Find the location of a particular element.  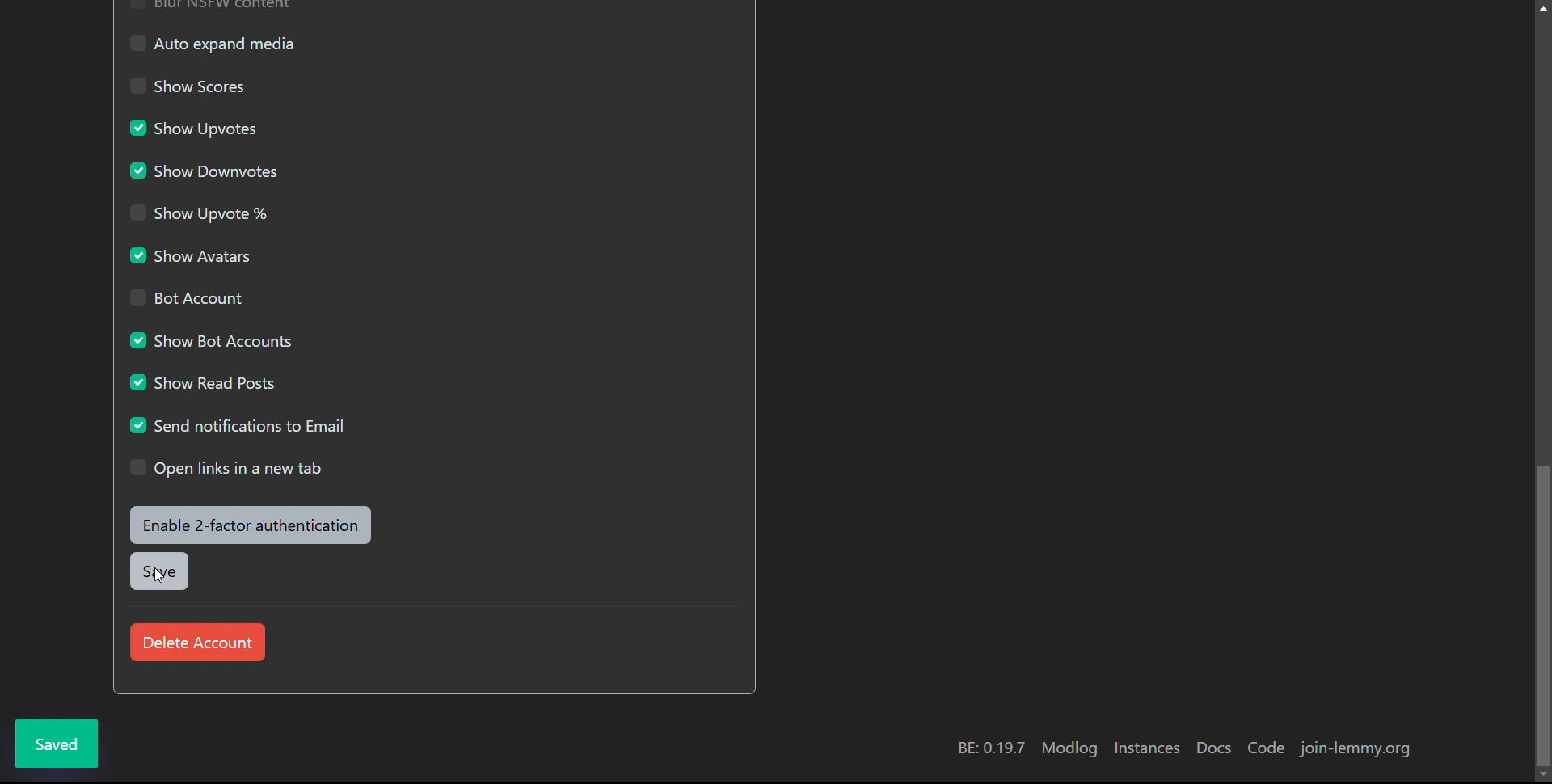

open links in a new tab is located at coordinates (227, 468).